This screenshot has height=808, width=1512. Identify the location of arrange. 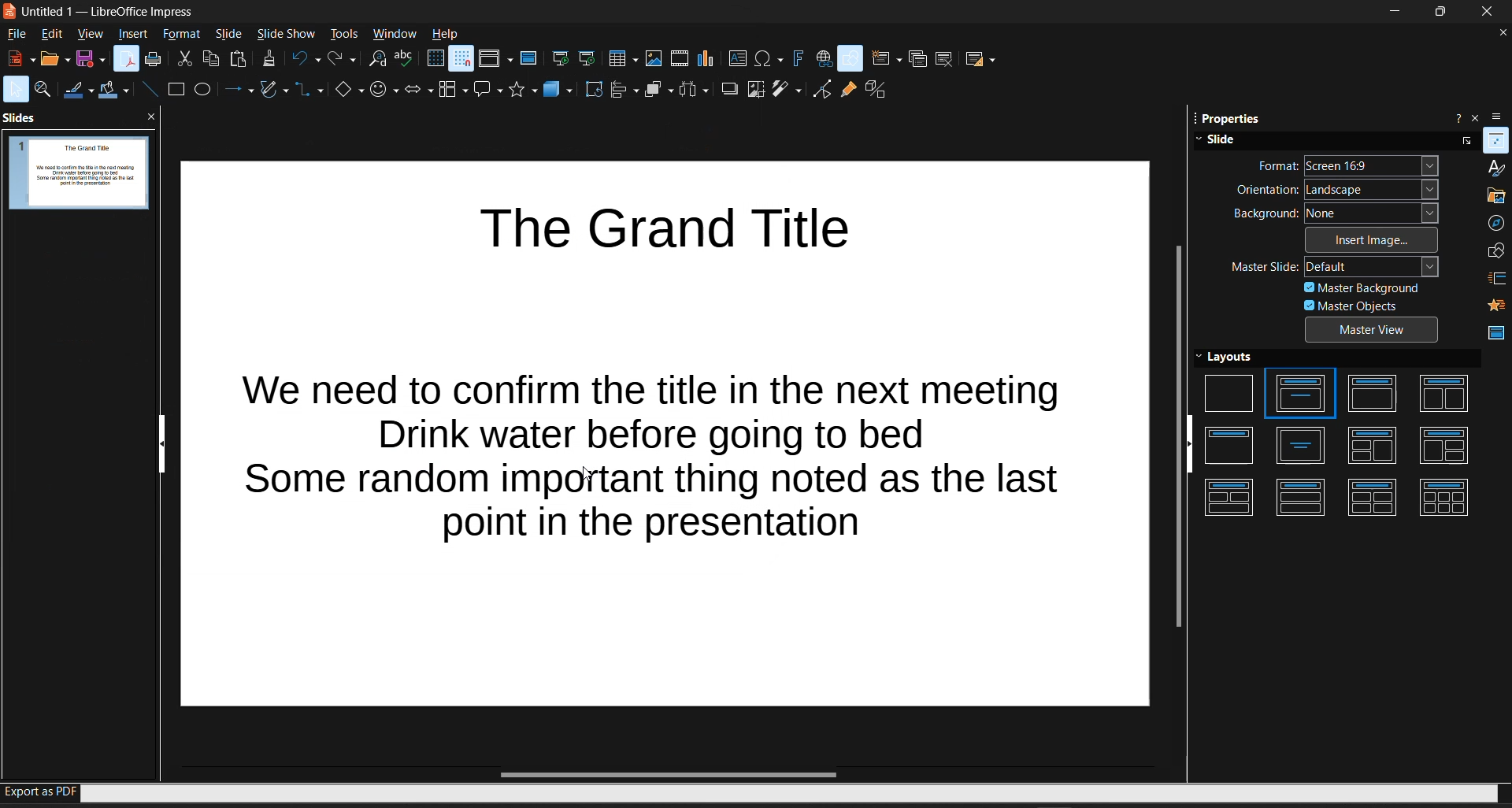
(660, 89).